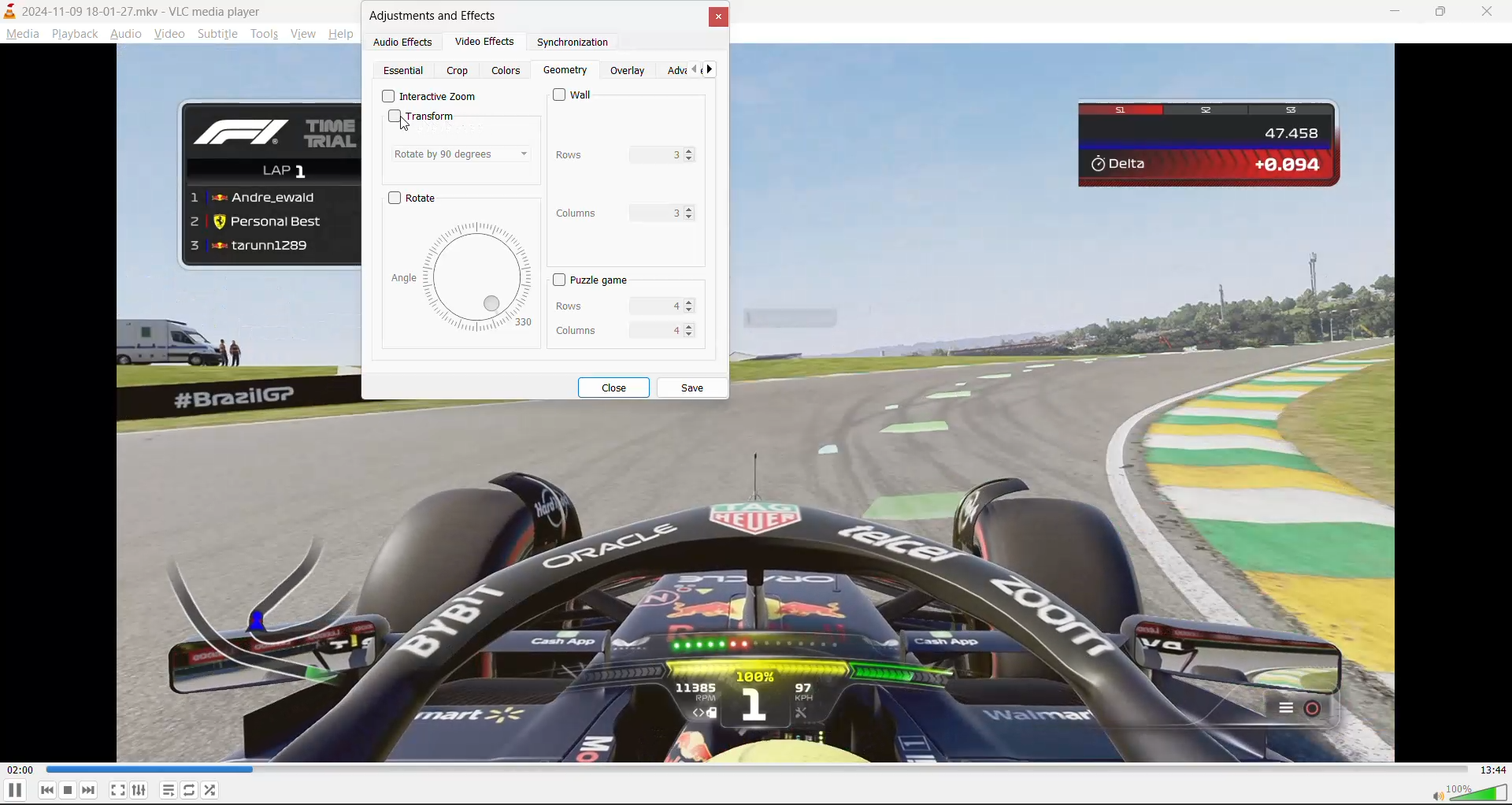  Describe the element at coordinates (429, 95) in the screenshot. I see `interactive zoom` at that location.